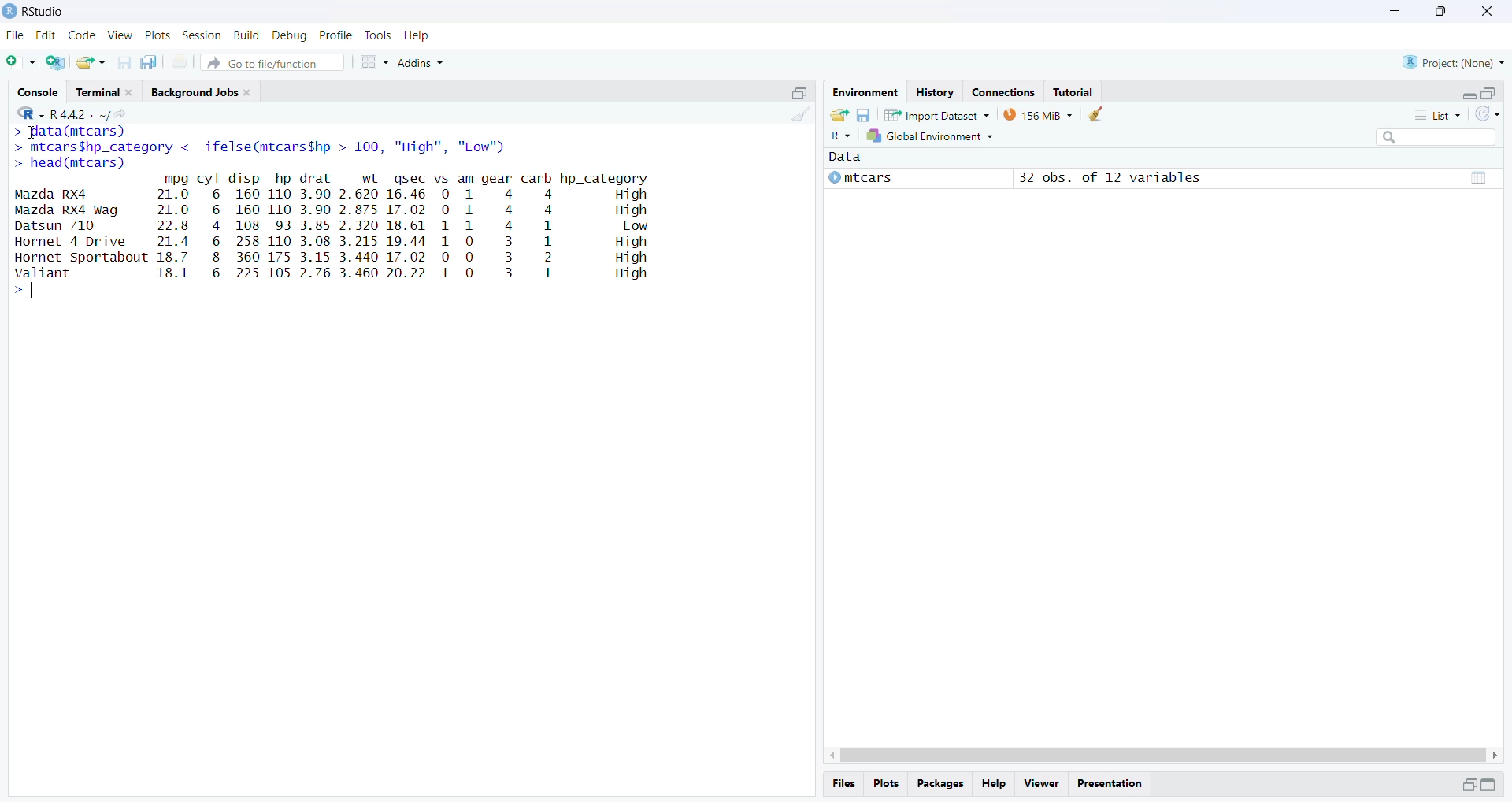 Image resolution: width=1512 pixels, height=802 pixels. Describe the element at coordinates (74, 113) in the screenshot. I see `R.4.4.2~/` at that location.